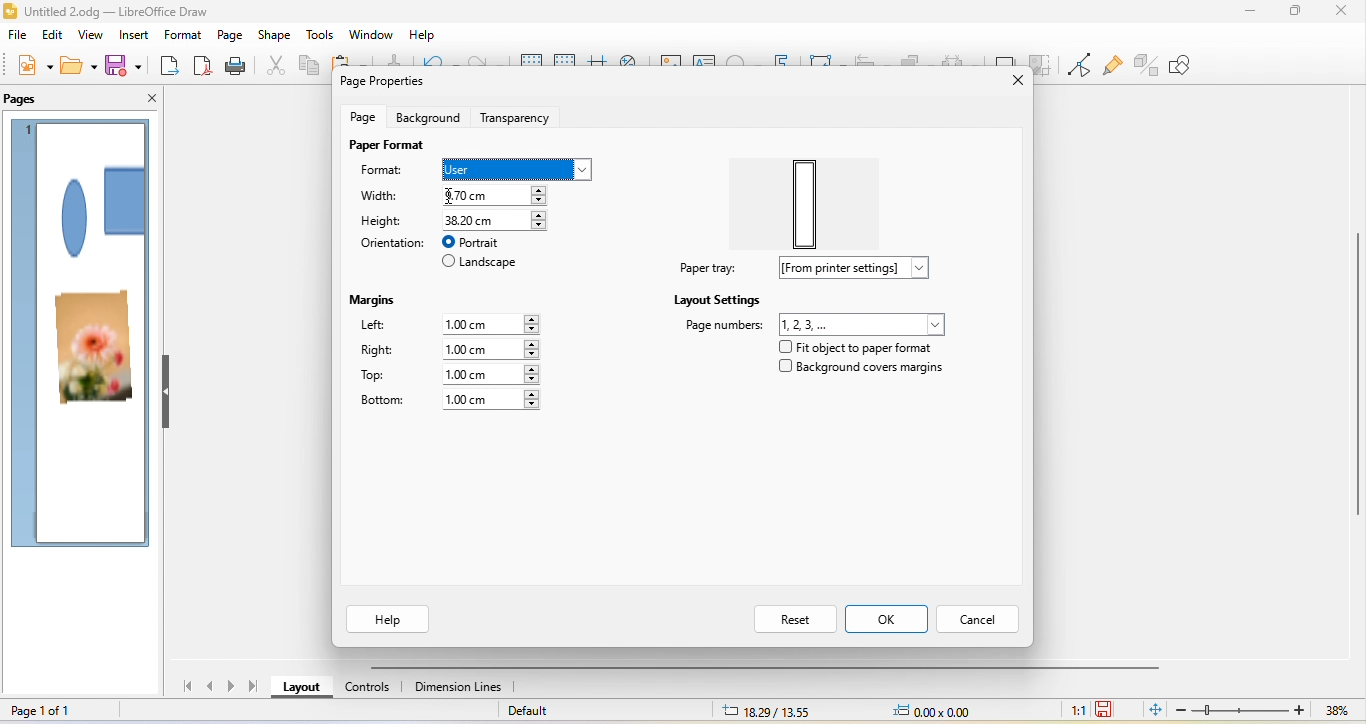 Image resolution: width=1366 pixels, height=724 pixels. What do you see at coordinates (390, 143) in the screenshot?
I see `page format` at bounding box center [390, 143].